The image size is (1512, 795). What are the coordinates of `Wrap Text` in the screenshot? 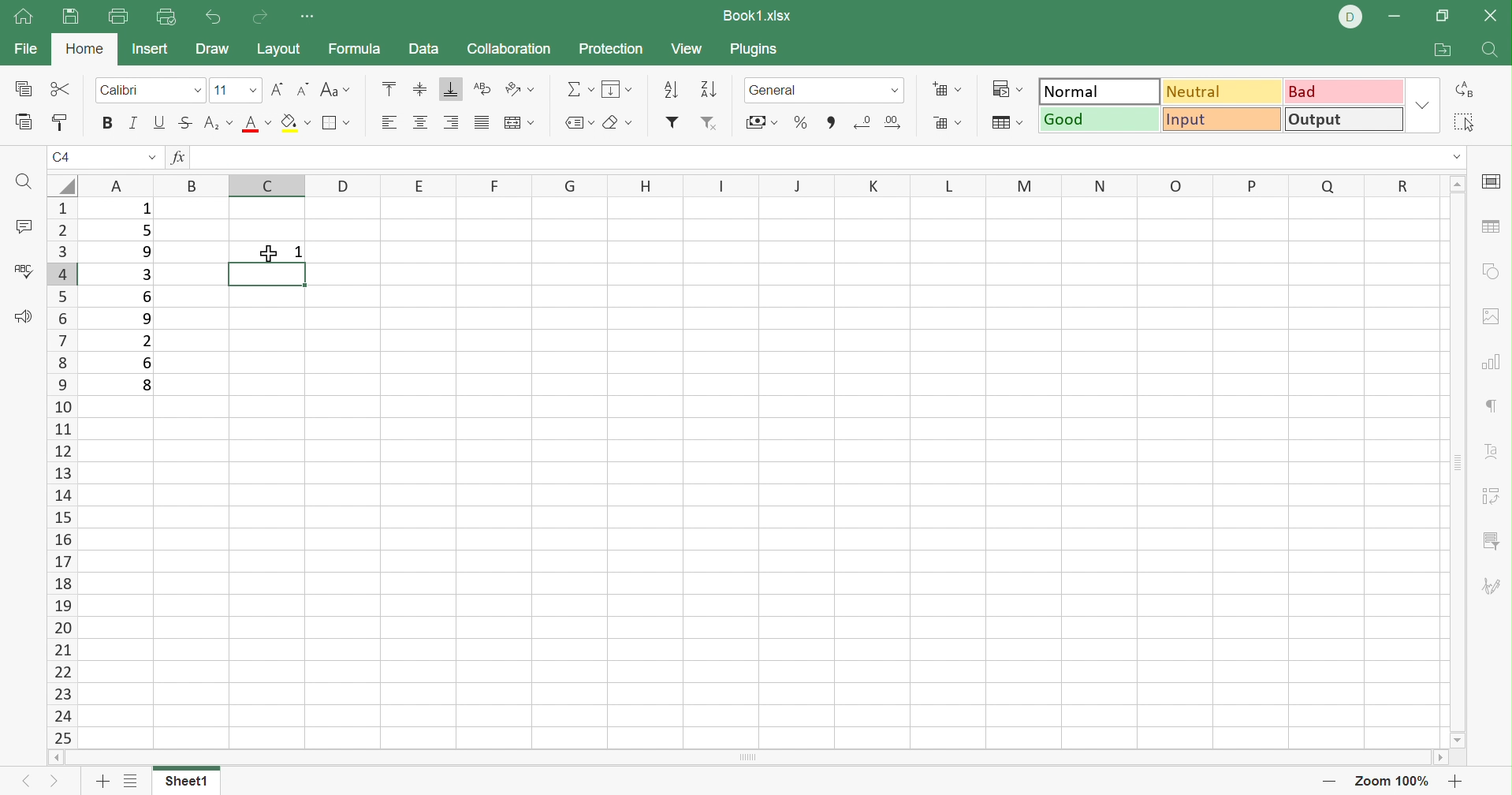 It's located at (482, 88).